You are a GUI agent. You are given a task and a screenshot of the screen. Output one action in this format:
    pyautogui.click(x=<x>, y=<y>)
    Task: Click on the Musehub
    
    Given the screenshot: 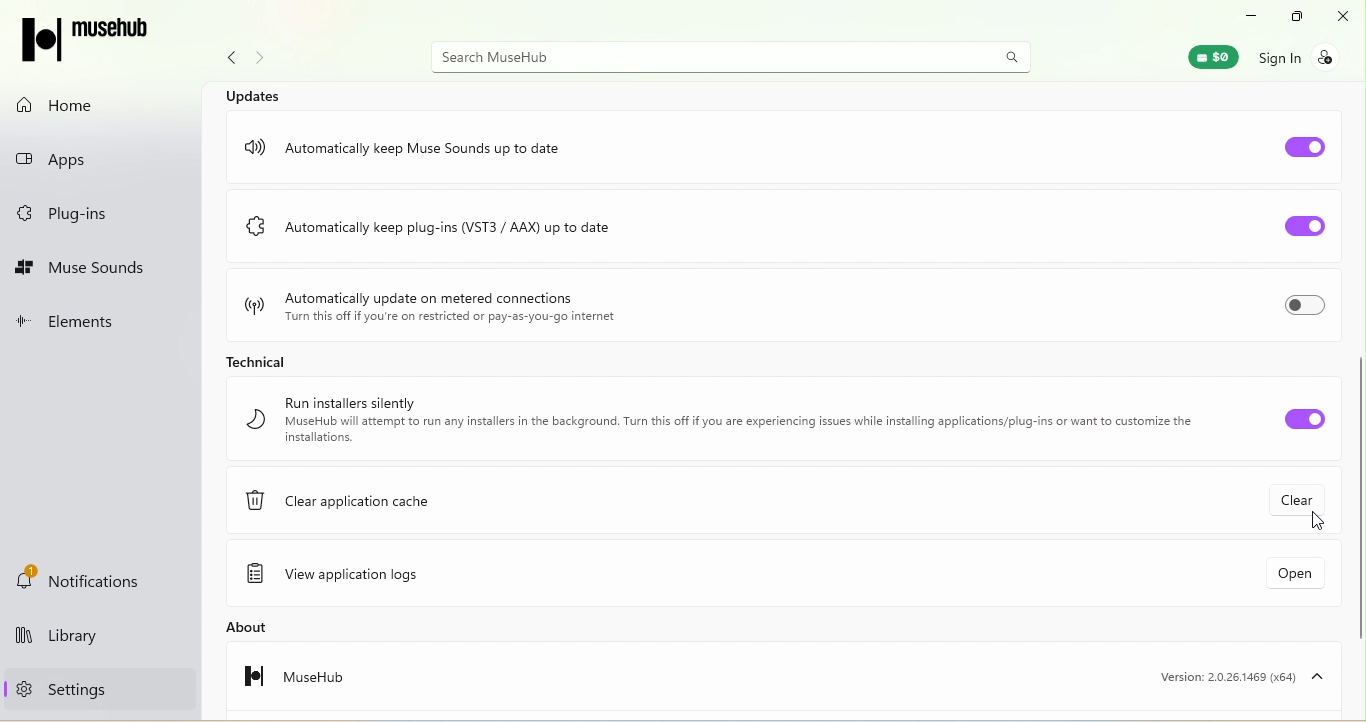 What is the action you would take?
    pyautogui.click(x=97, y=41)
    